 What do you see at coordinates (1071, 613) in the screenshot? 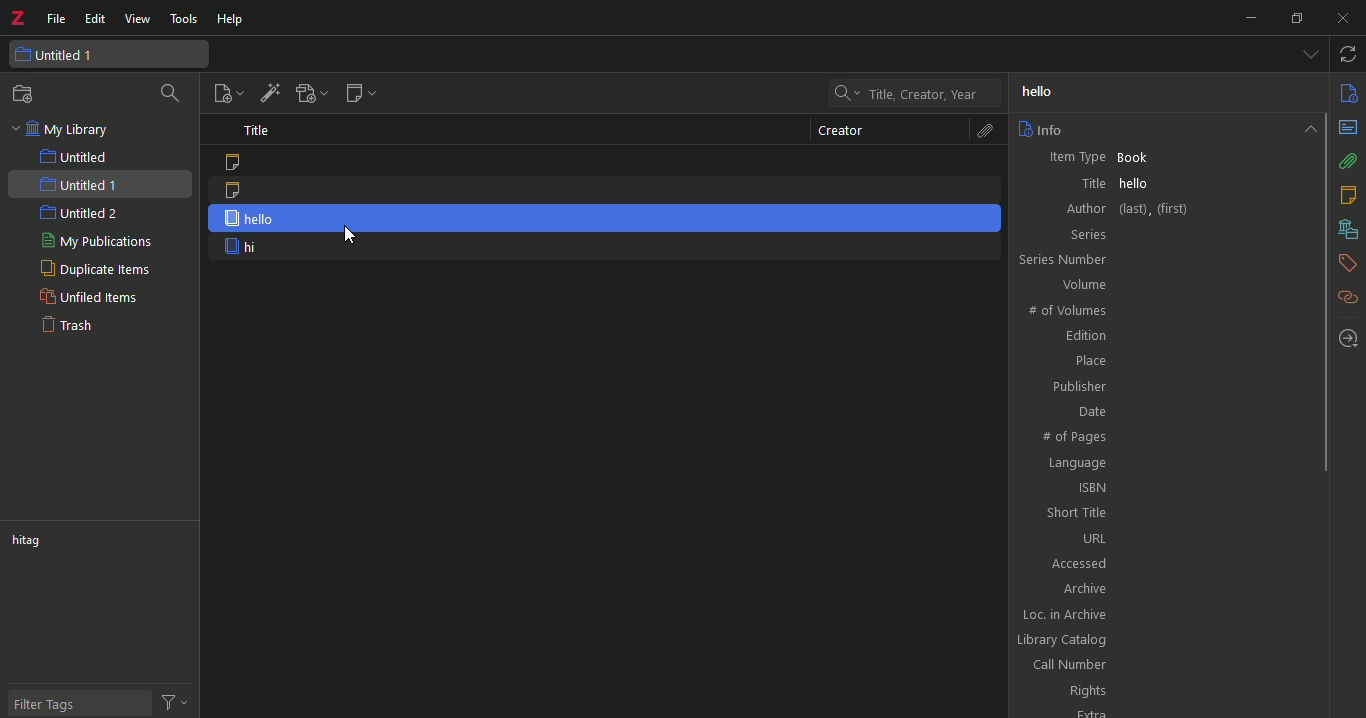
I see `loc. in archive` at bounding box center [1071, 613].